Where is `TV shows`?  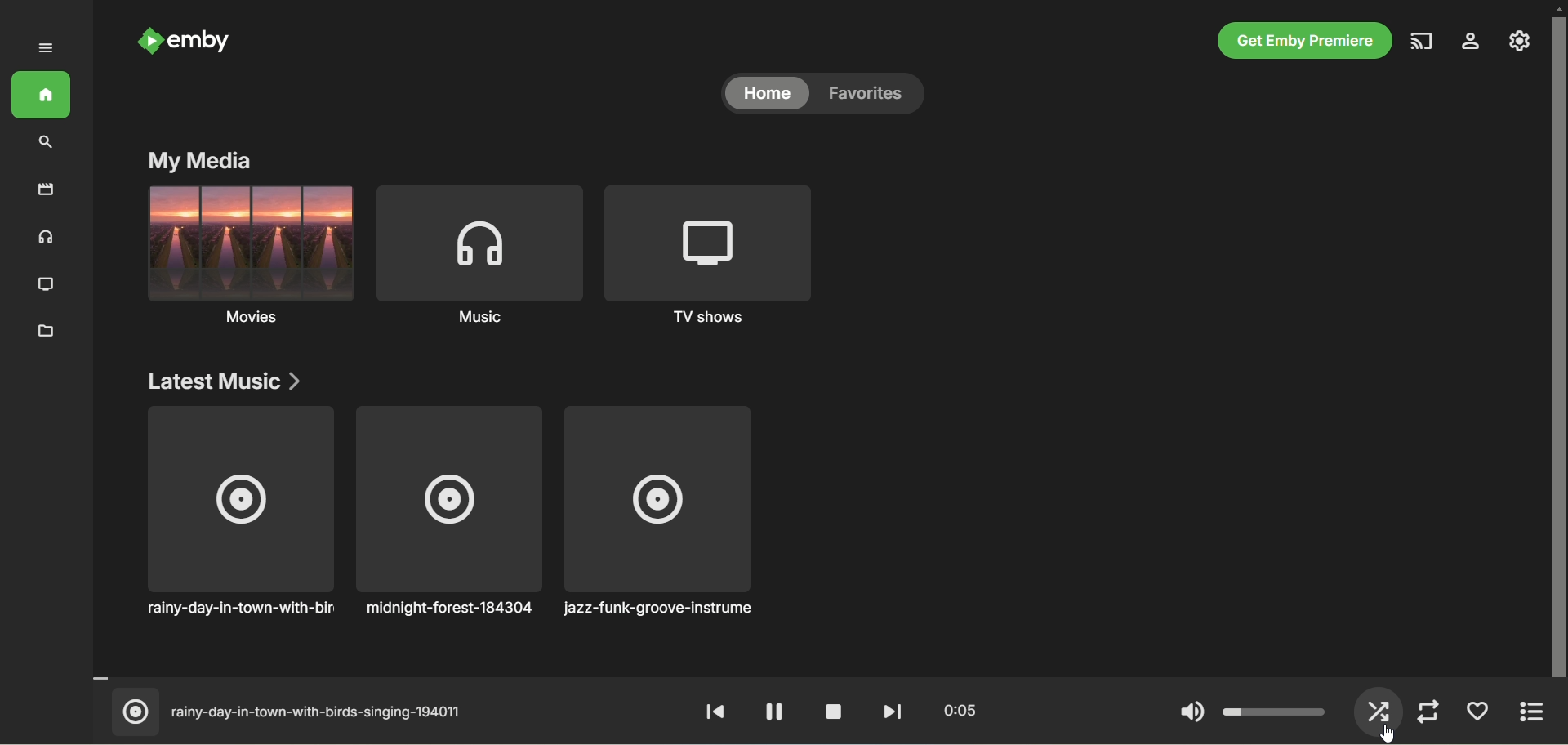 TV shows is located at coordinates (705, 253).